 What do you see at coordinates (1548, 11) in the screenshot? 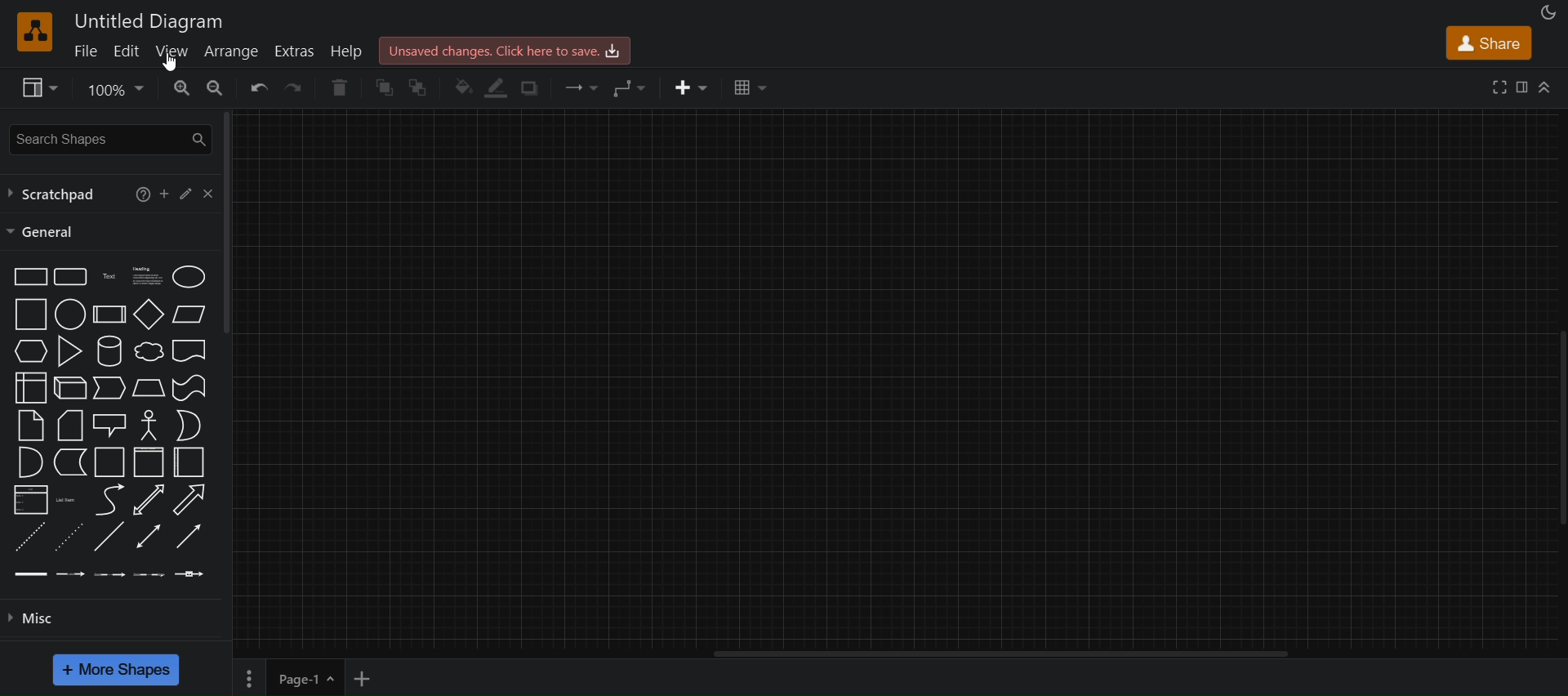
I see `appearance` at bounding box center [1548, 11].